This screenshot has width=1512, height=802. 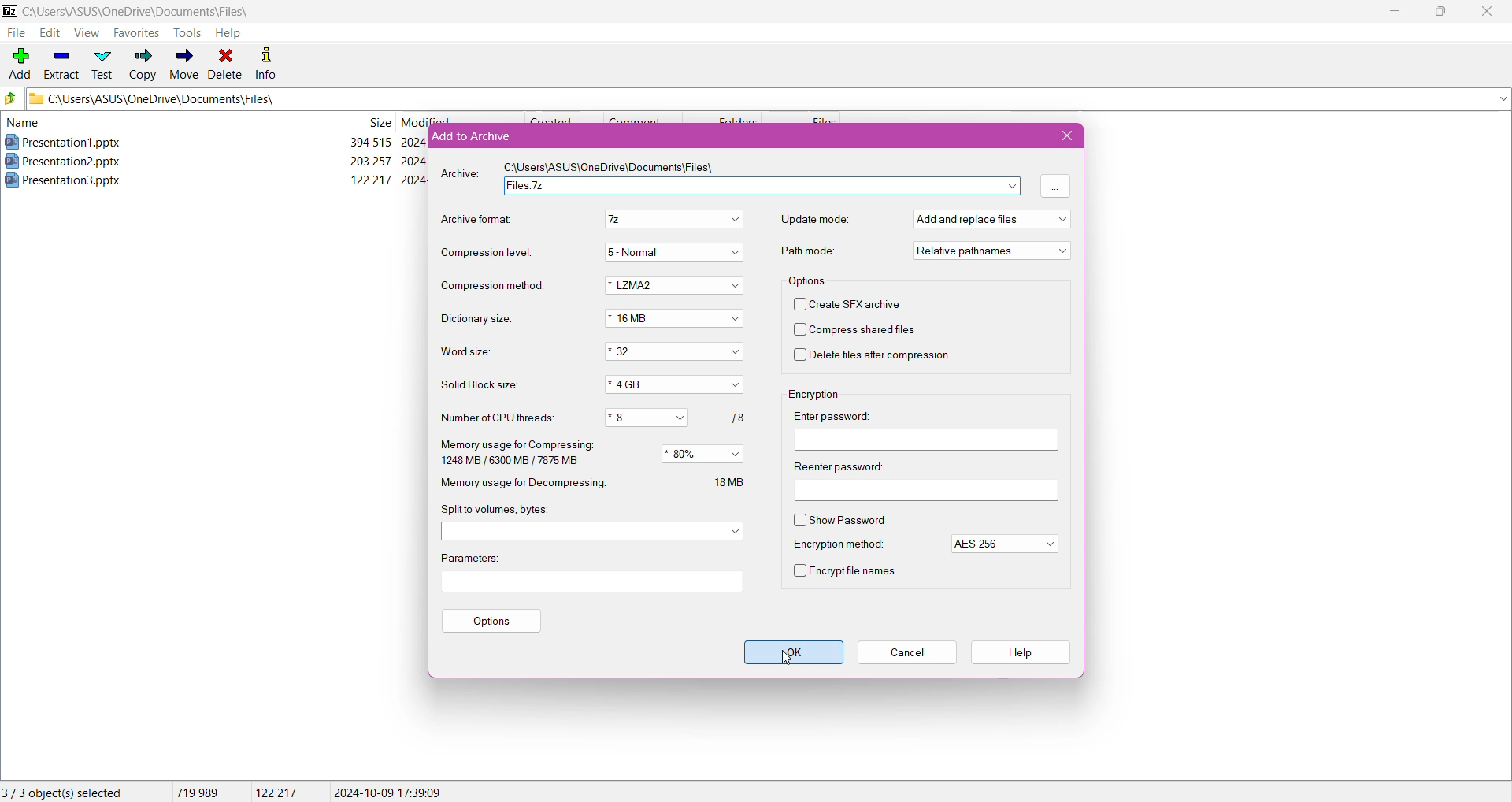 What do you see at coordinates (19, 59) in the screenshot?
I see `Add` at bounding box center [19, 59].